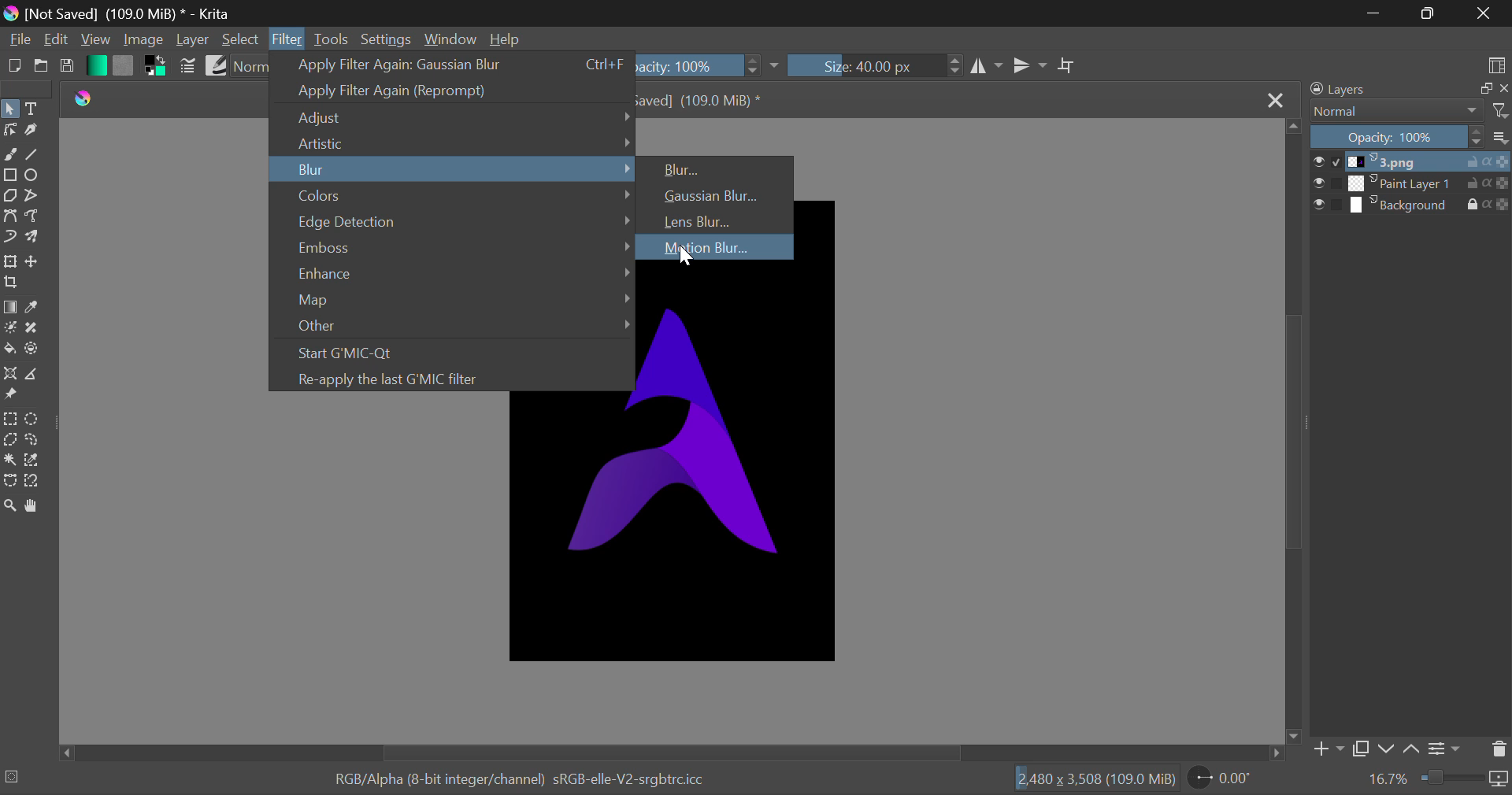  What do you see at coordinates (9, 307) in the screenshot?
I see `Gradient Fill` at bounding box center [9, 307].